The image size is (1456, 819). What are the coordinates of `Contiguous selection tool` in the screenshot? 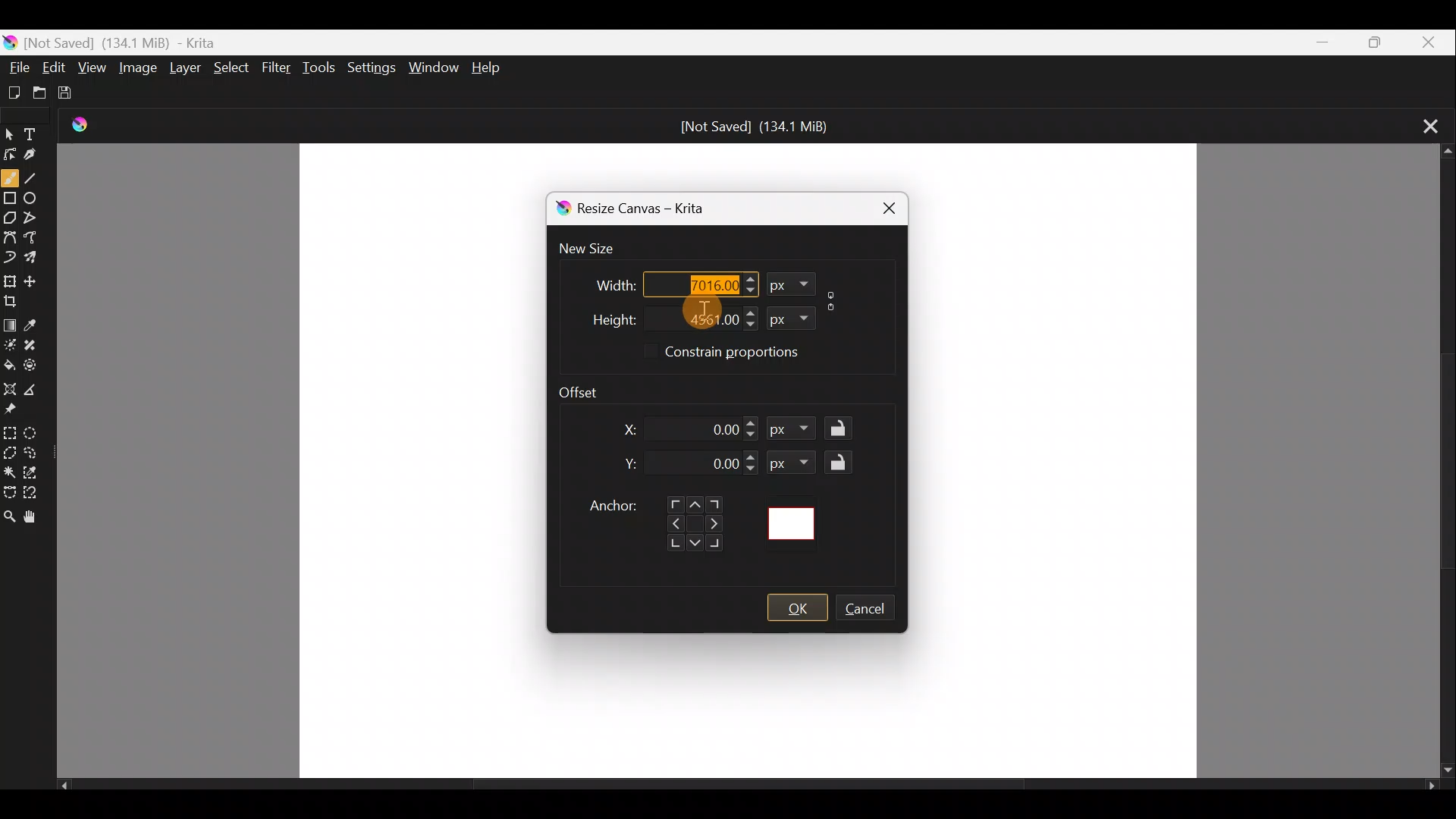 It's located at (10, 472).